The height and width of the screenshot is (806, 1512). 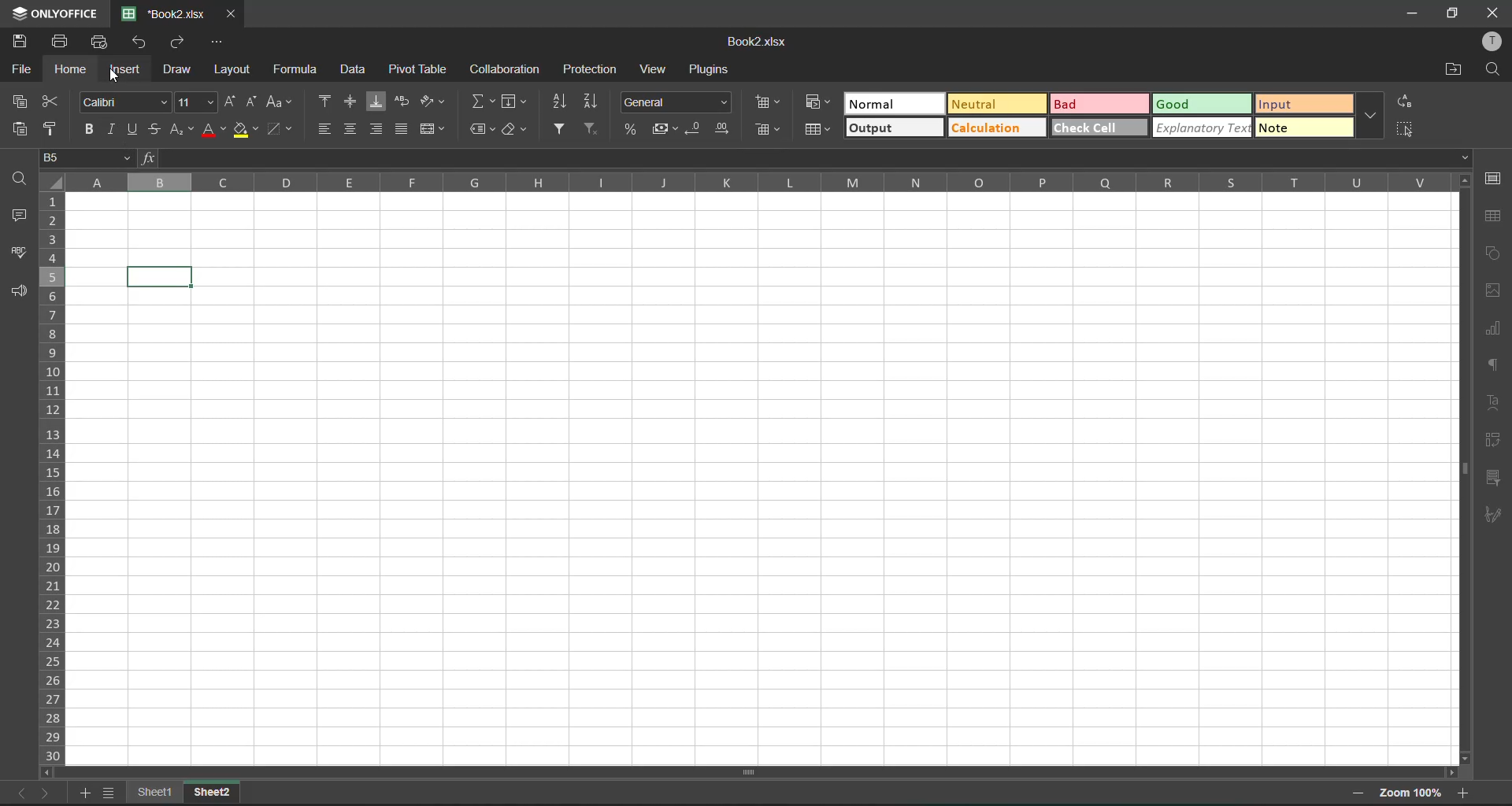 What do you see at coordinates (403, 102) in the screenshot?
I see `wrap text` at bounding box center [403, 102].